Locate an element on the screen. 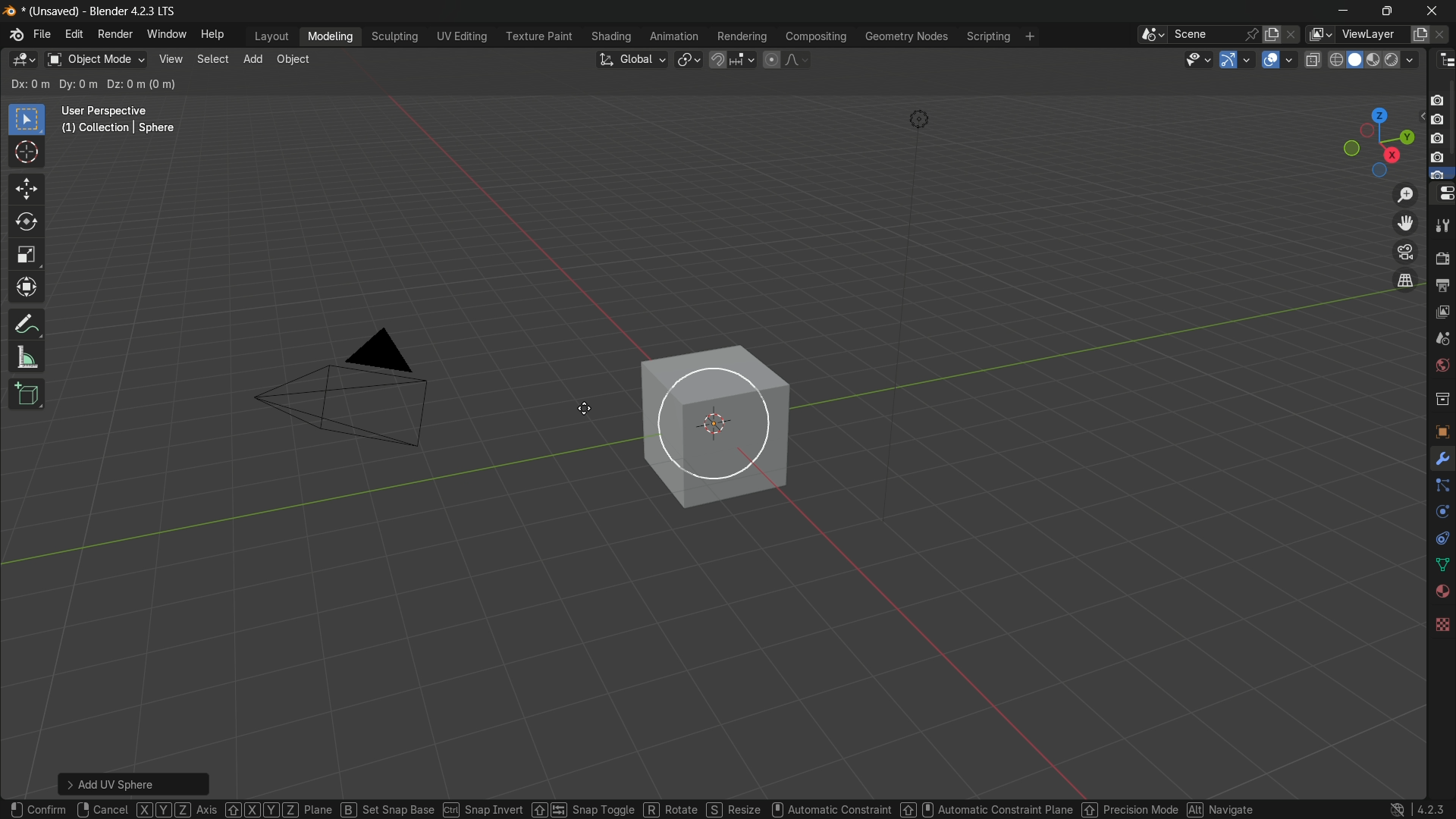  camera is located at coordinates (1441, 133).